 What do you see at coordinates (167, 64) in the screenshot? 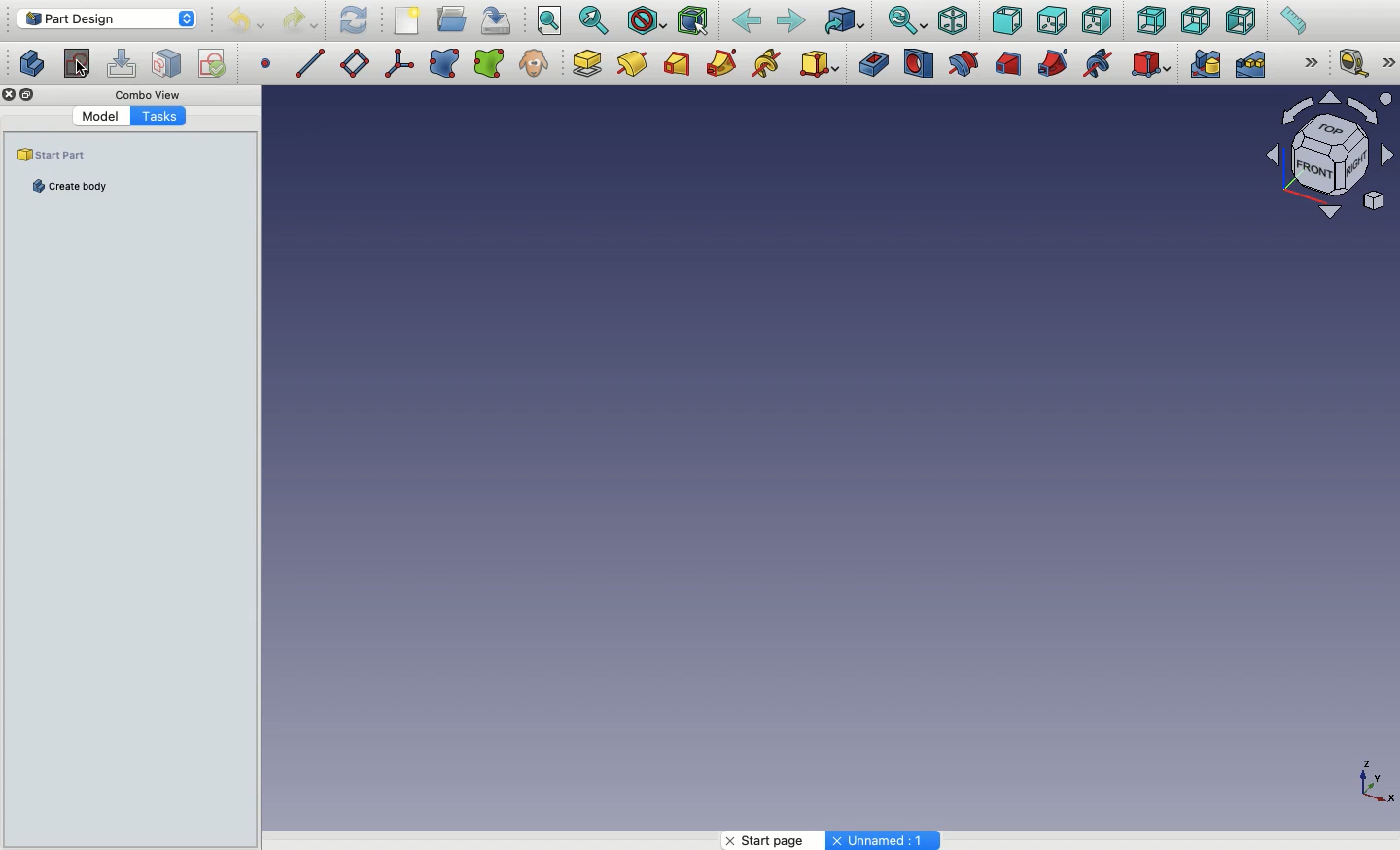
I see `Map sketch to face` at bounding box center [167, 64].